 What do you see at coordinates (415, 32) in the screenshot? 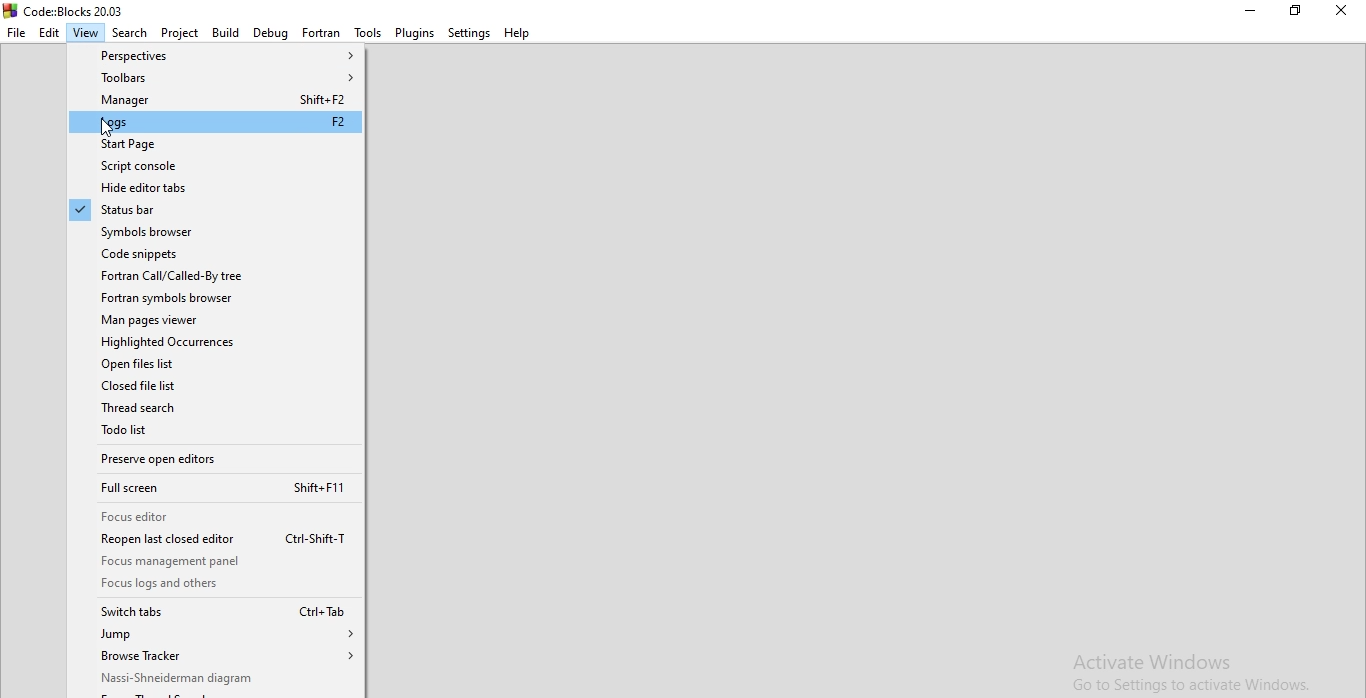
I see `Plugins ` at bounding box center [415, 32].